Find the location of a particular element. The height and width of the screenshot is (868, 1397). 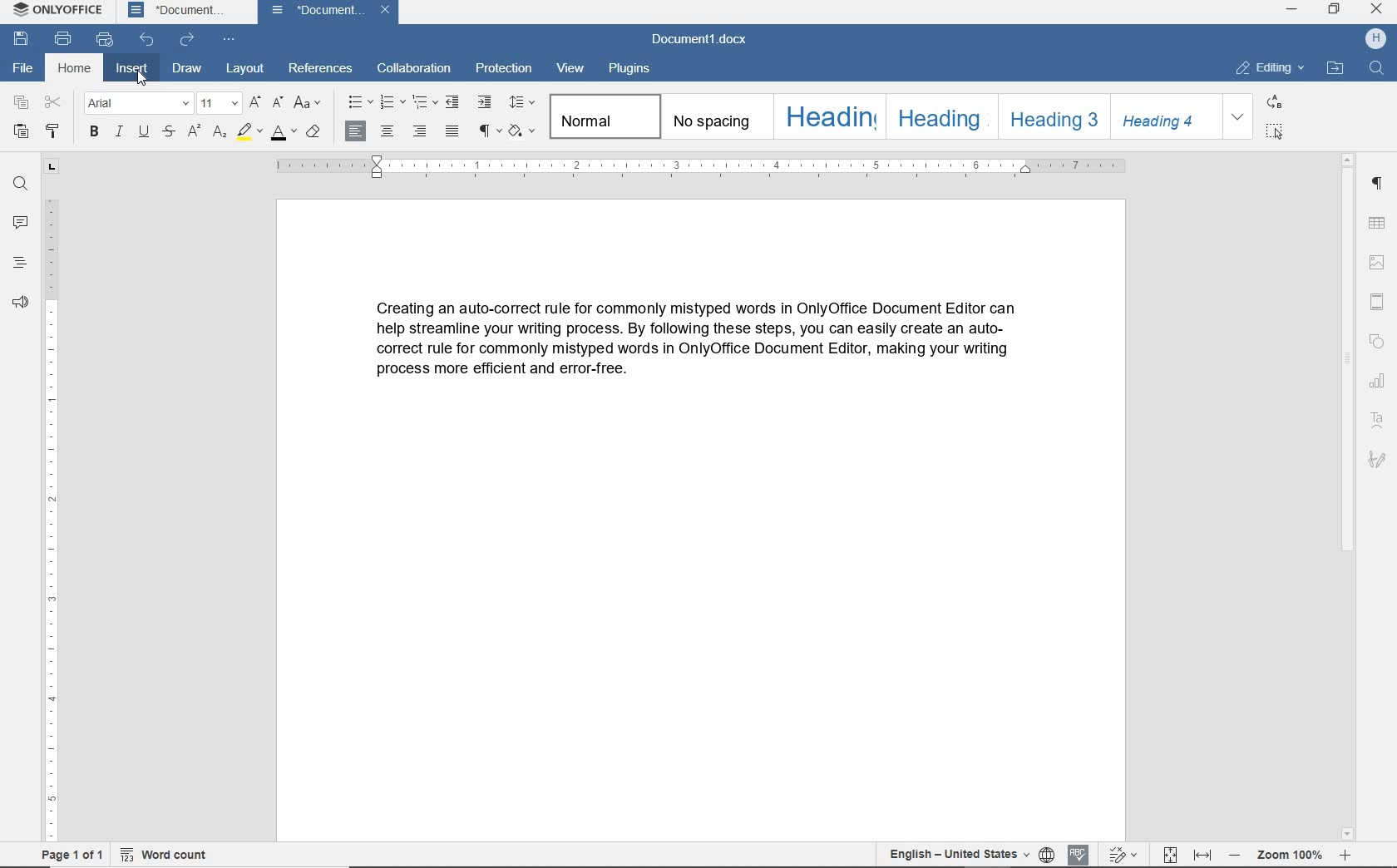

home is located at coordinates (76, 67).